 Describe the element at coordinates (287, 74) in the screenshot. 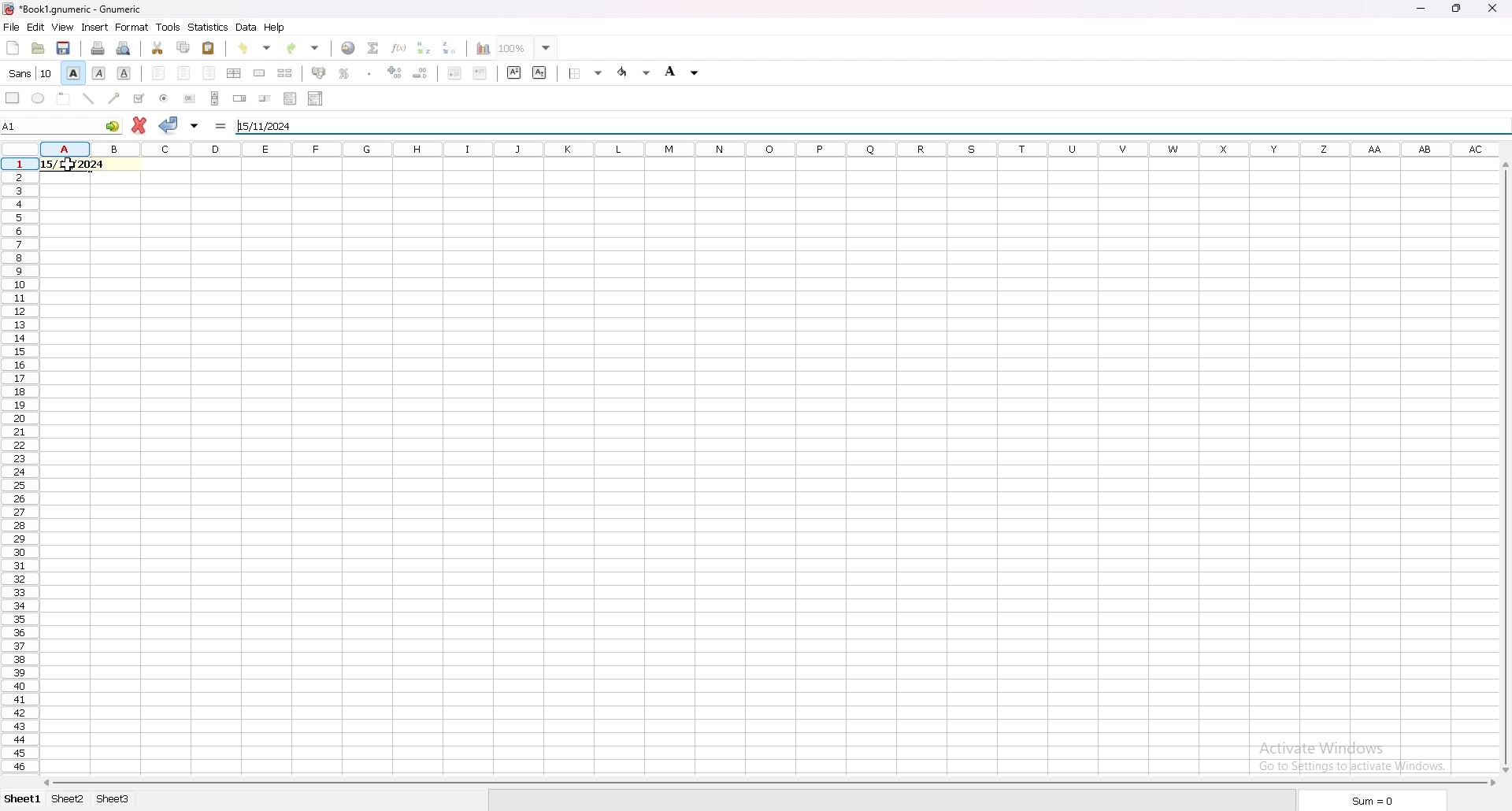

I see `split merged` at that location.